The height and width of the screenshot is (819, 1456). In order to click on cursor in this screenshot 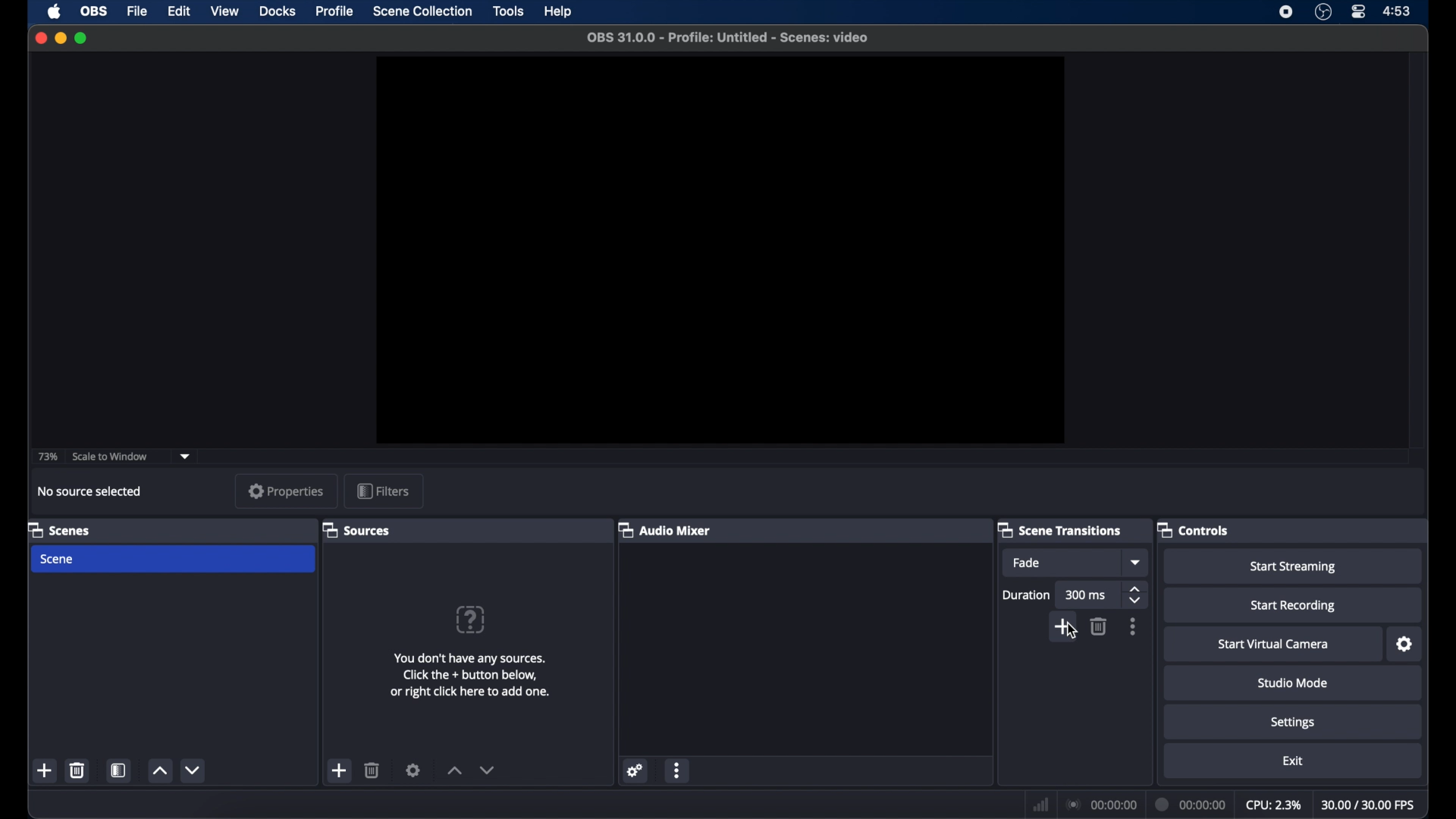, I will do `click(1068, 629)`.